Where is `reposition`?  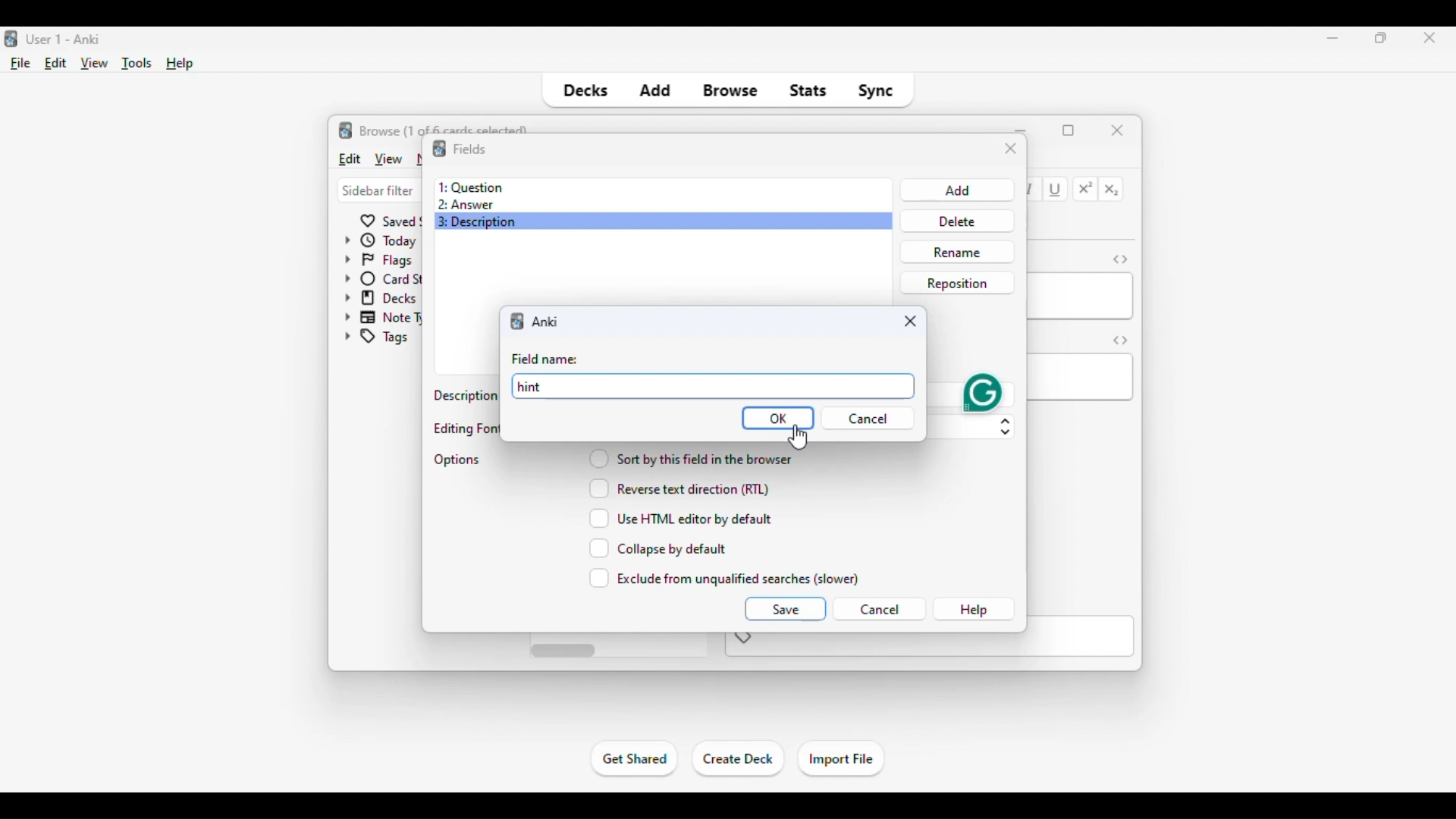 reposition is located at coordinates (957, 282).